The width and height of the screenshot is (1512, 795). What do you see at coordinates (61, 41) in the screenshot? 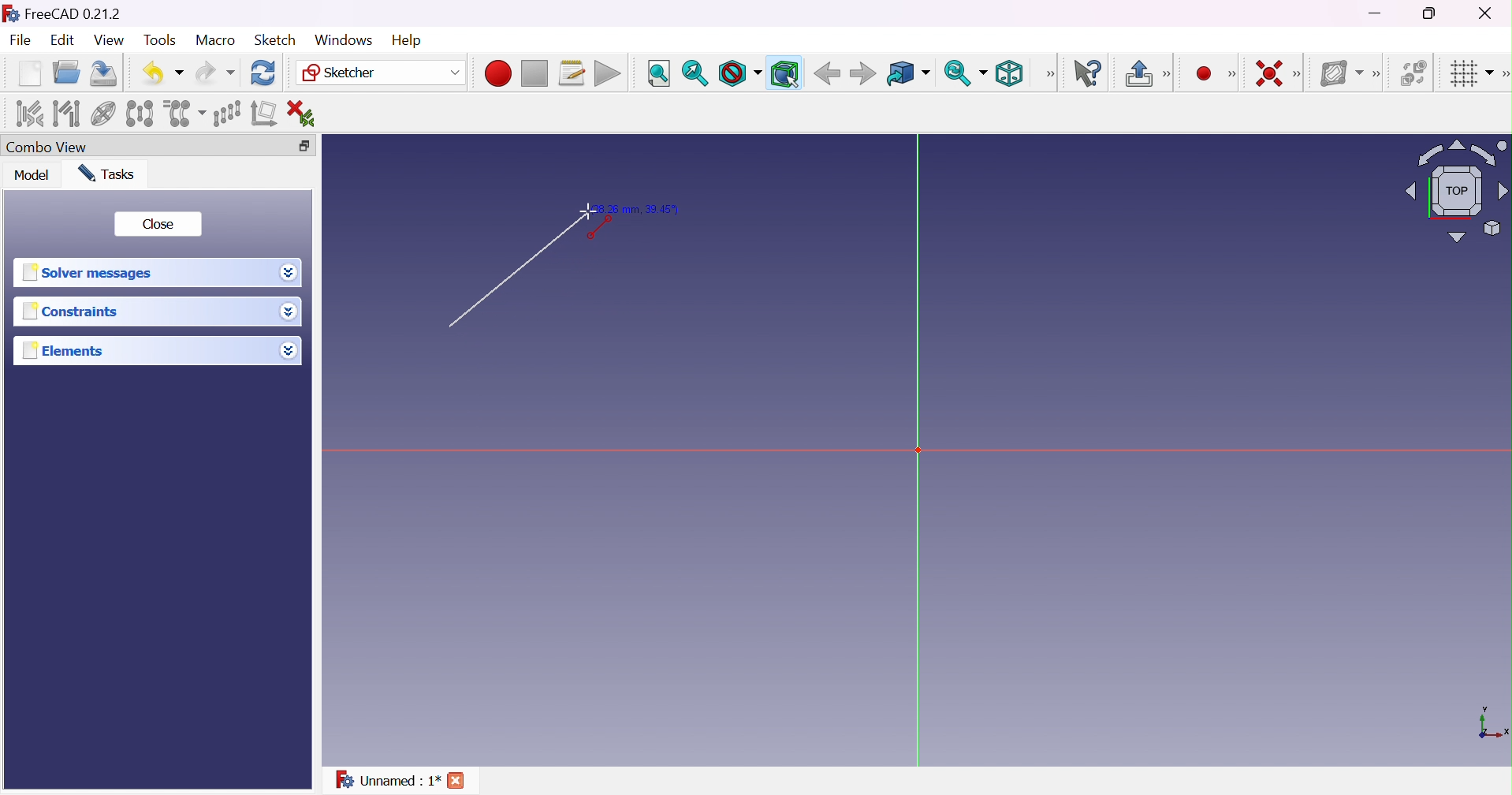
I see `Edit` at bounding box center [61, 41].